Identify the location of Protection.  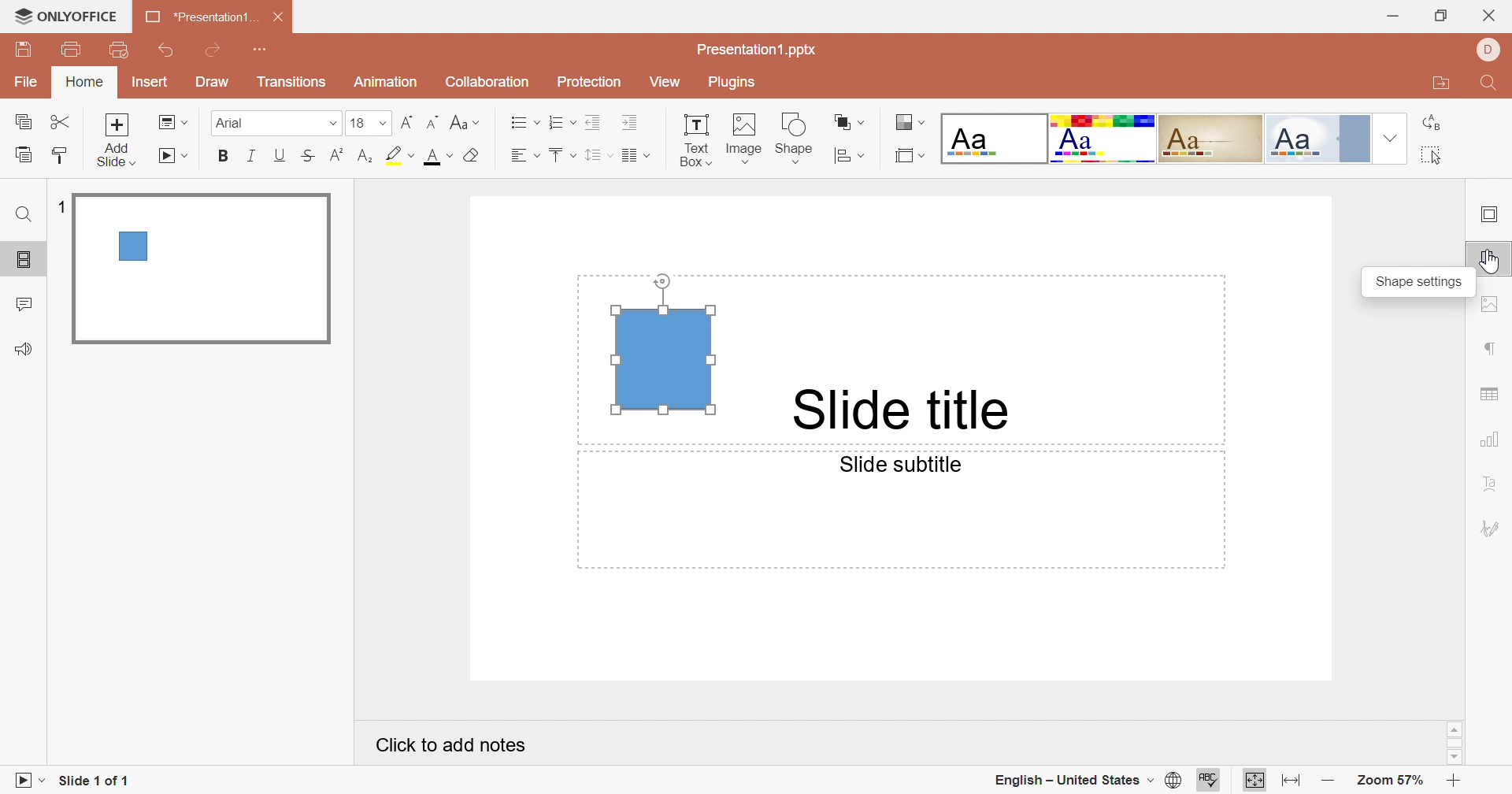
(592, 82).